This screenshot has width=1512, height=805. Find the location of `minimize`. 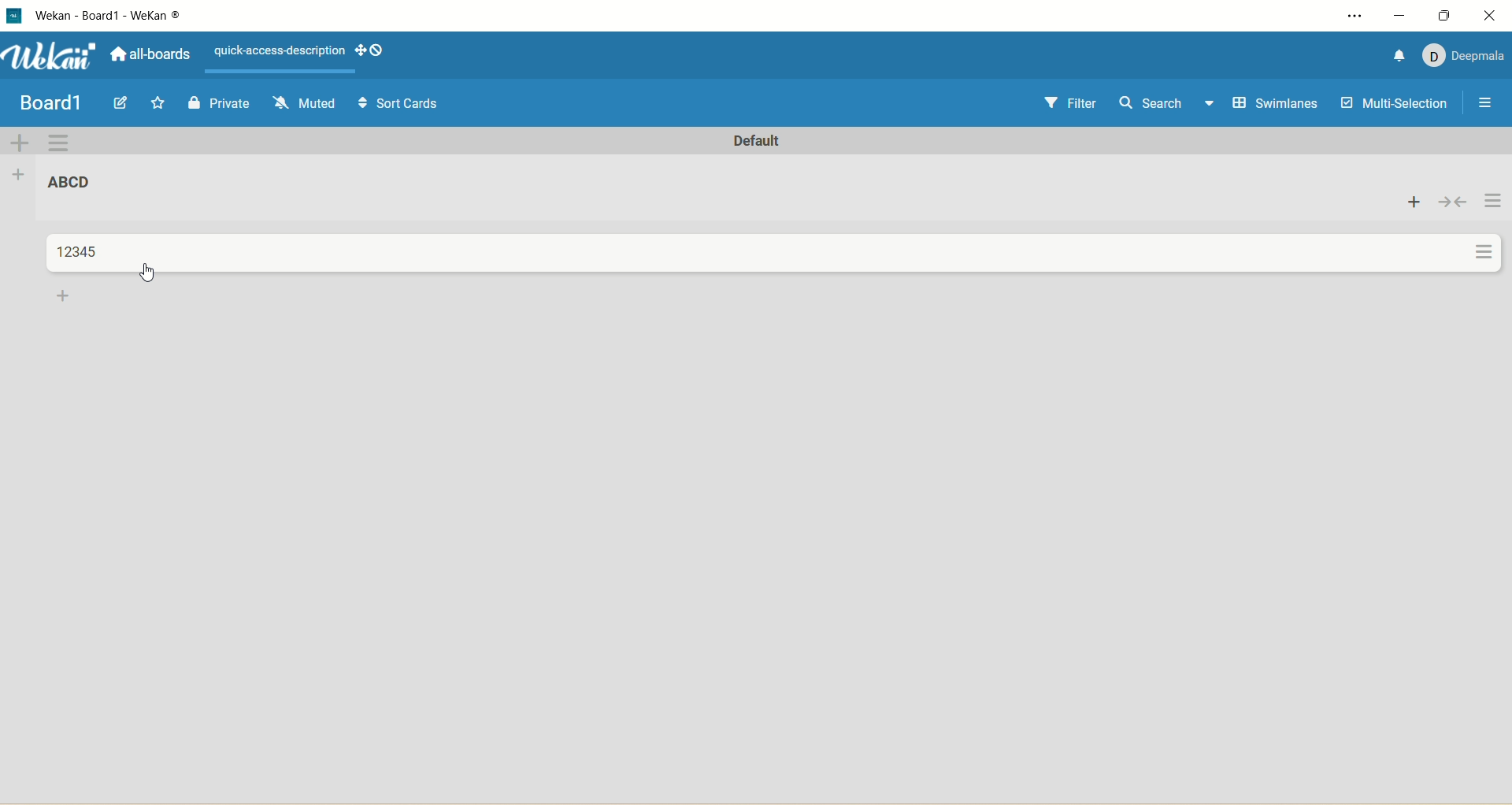

minimize is located at coordinates (1398, 16).